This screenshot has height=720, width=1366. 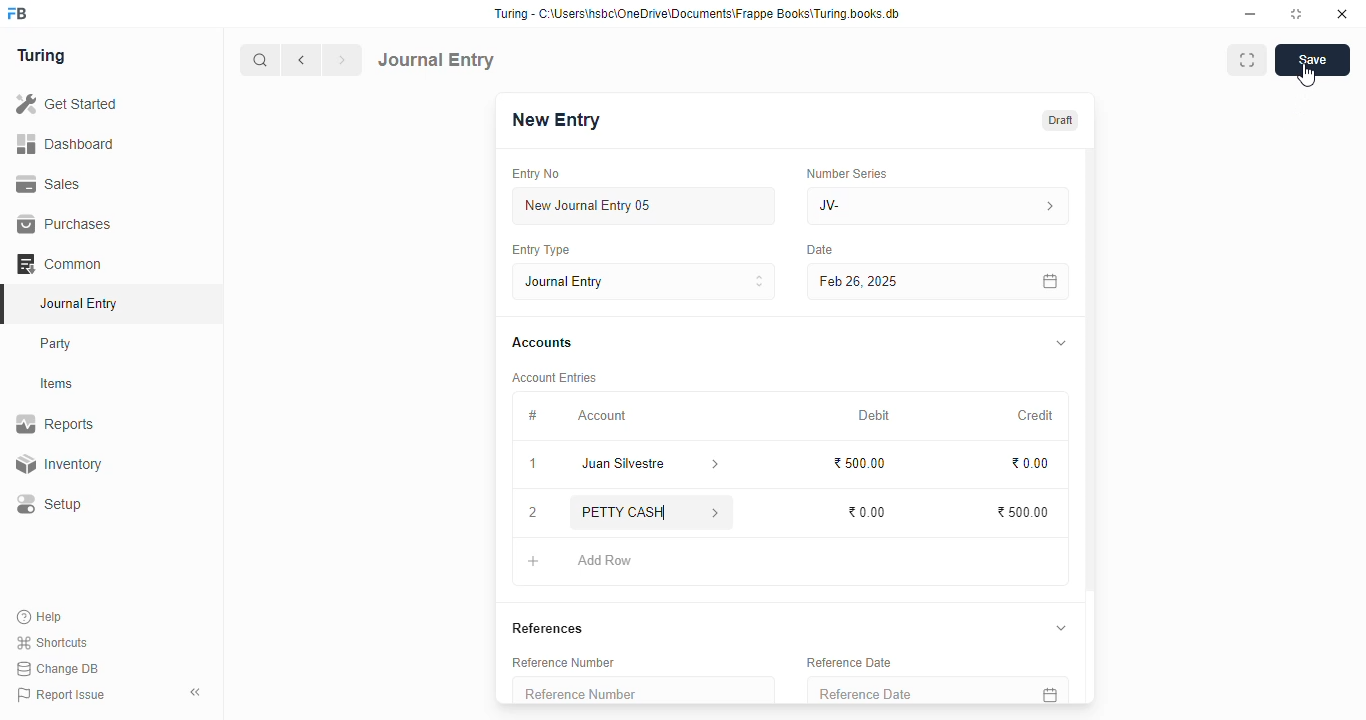 What do you see at coordinates (1342, 14) in the screenshot?
I see `close` at bounding box center [1342, 14].